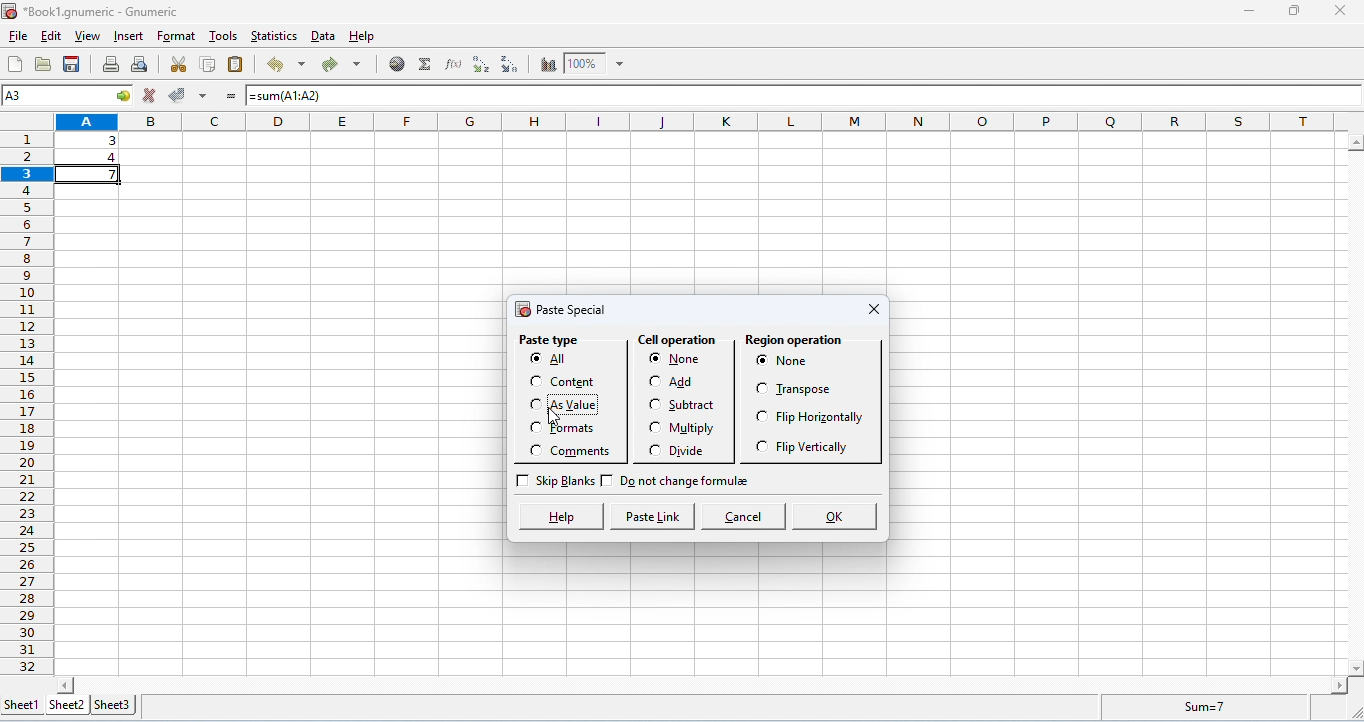 Image resolution: width=1364 pixels, height=722 pixels. Describe the element at coordinates (694, 483) in the screenshot. I see `do not change format` at that location.